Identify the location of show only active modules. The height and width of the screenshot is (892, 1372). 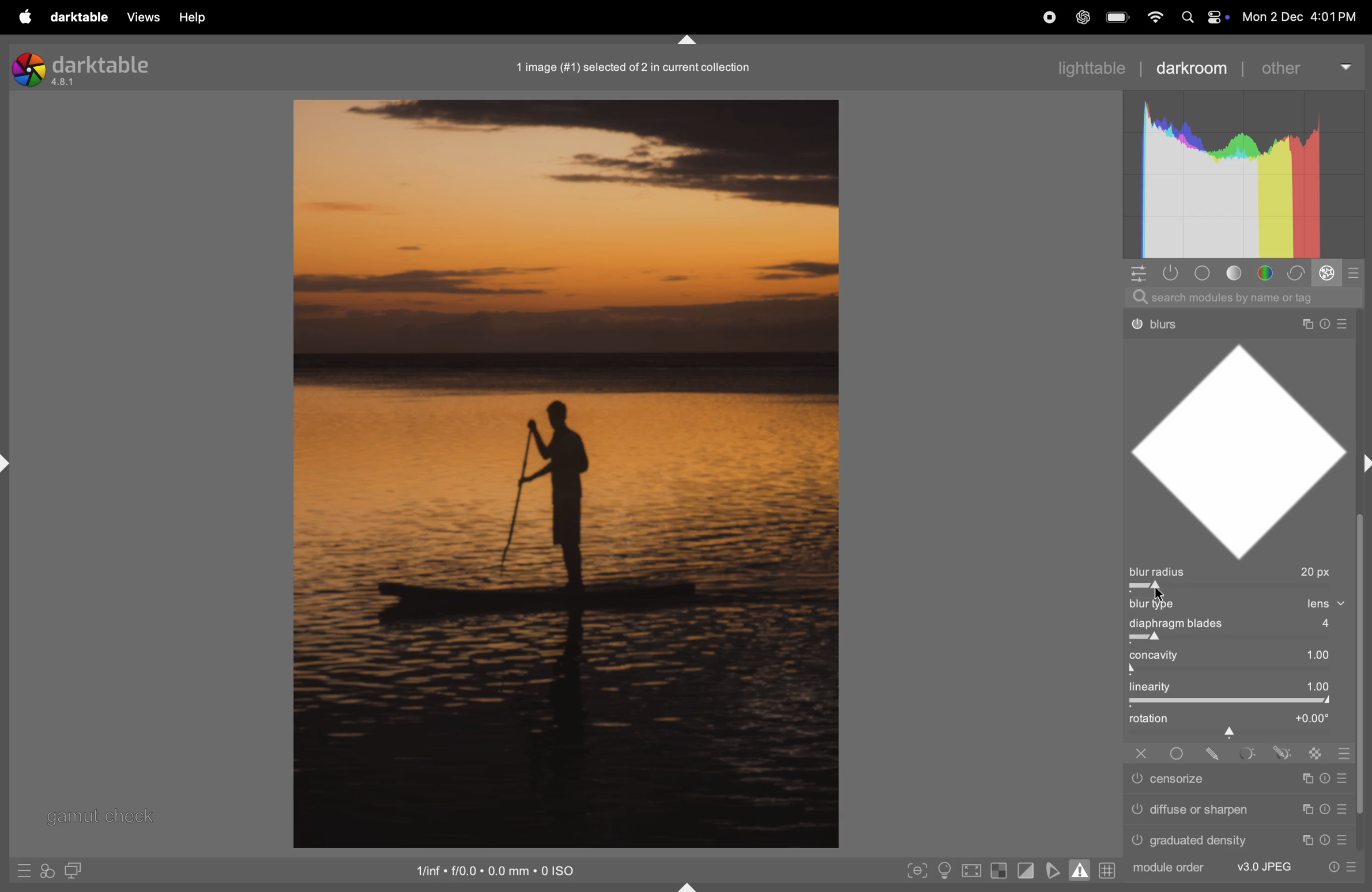
(1170, 273).